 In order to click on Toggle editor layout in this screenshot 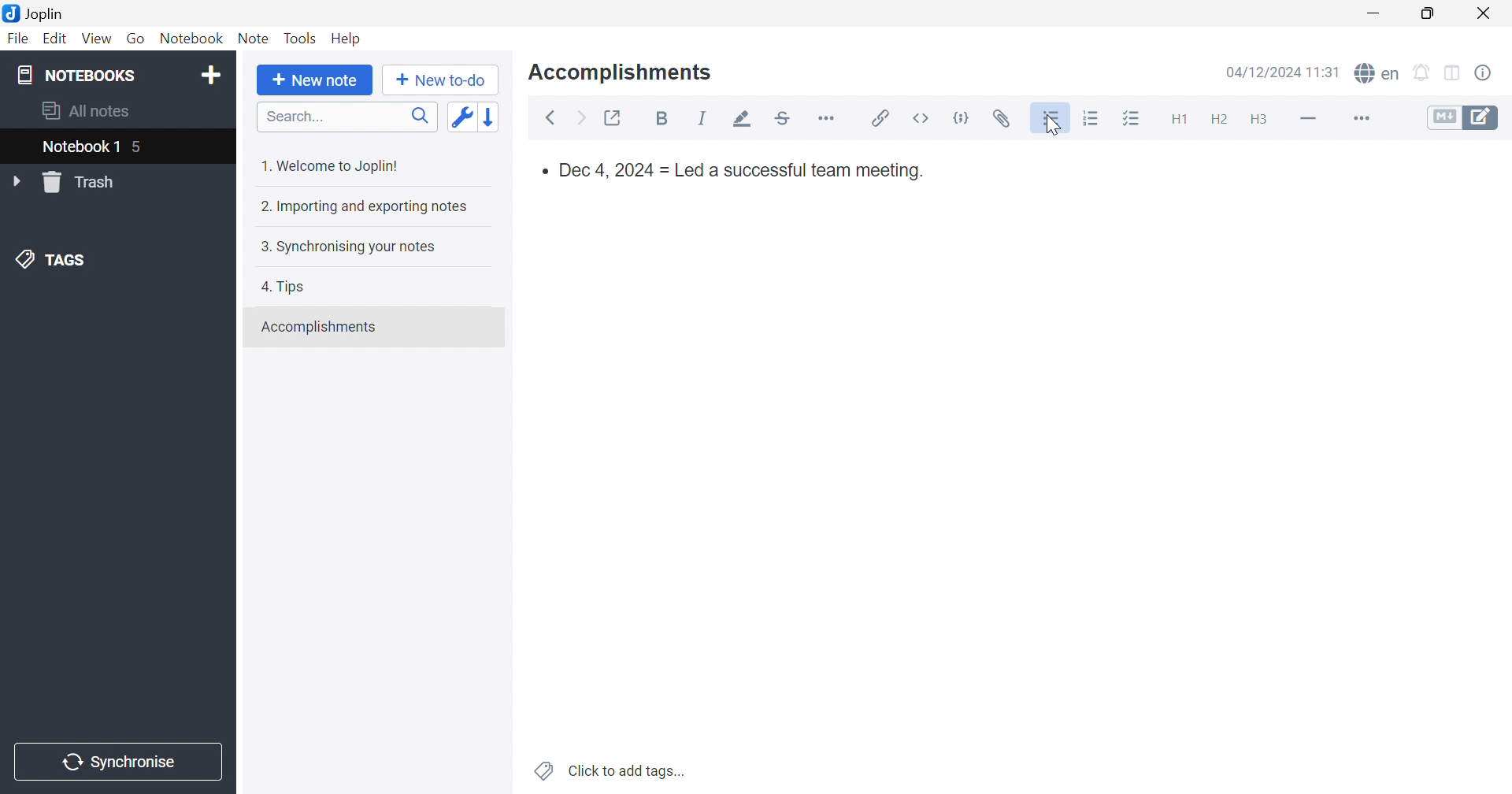, I will do `click(1454, 74)`.